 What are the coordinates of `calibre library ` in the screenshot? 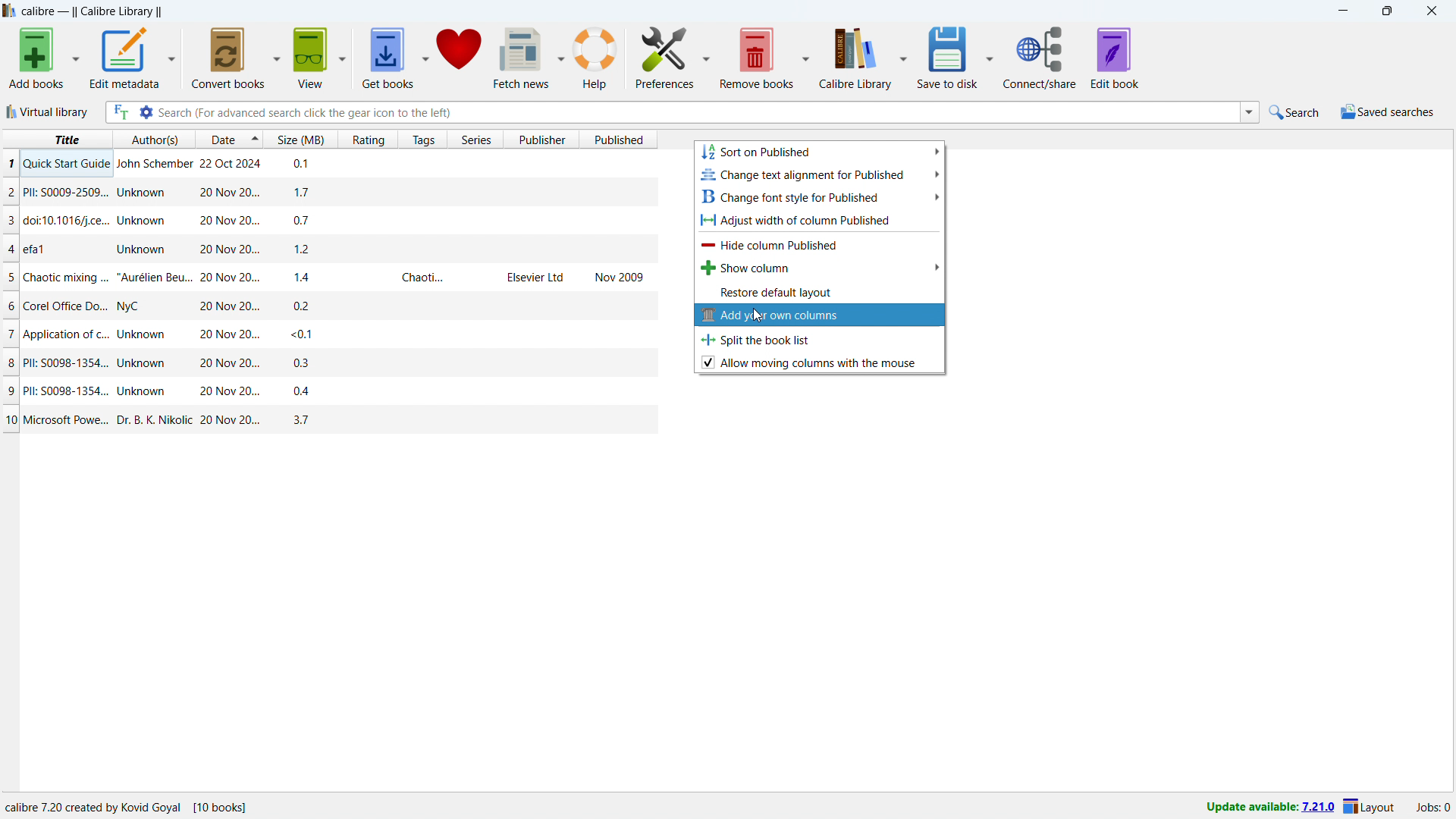 It's located at (856, 56).